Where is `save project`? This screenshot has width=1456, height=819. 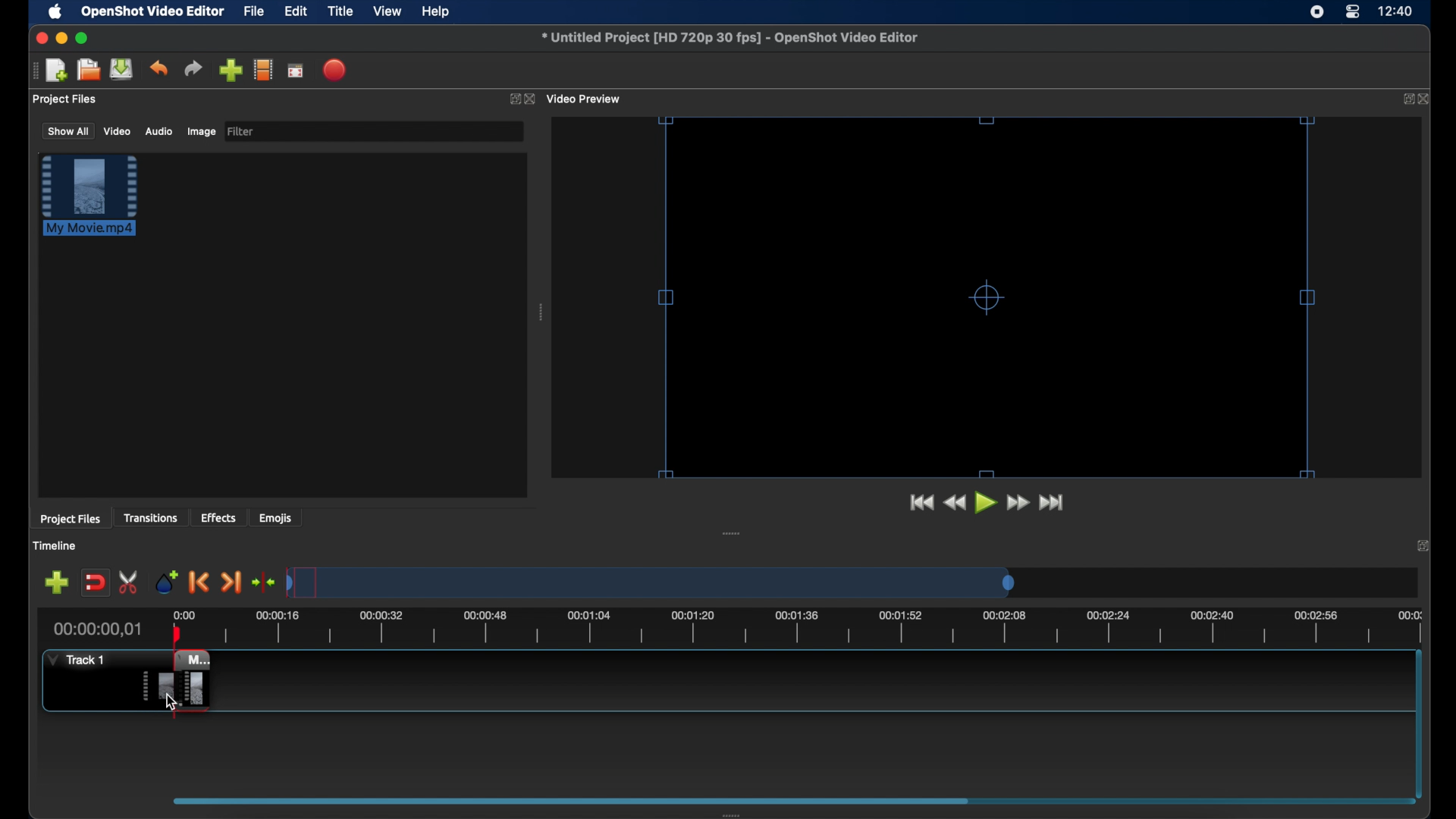
save project is located at coordinates (121, 69).